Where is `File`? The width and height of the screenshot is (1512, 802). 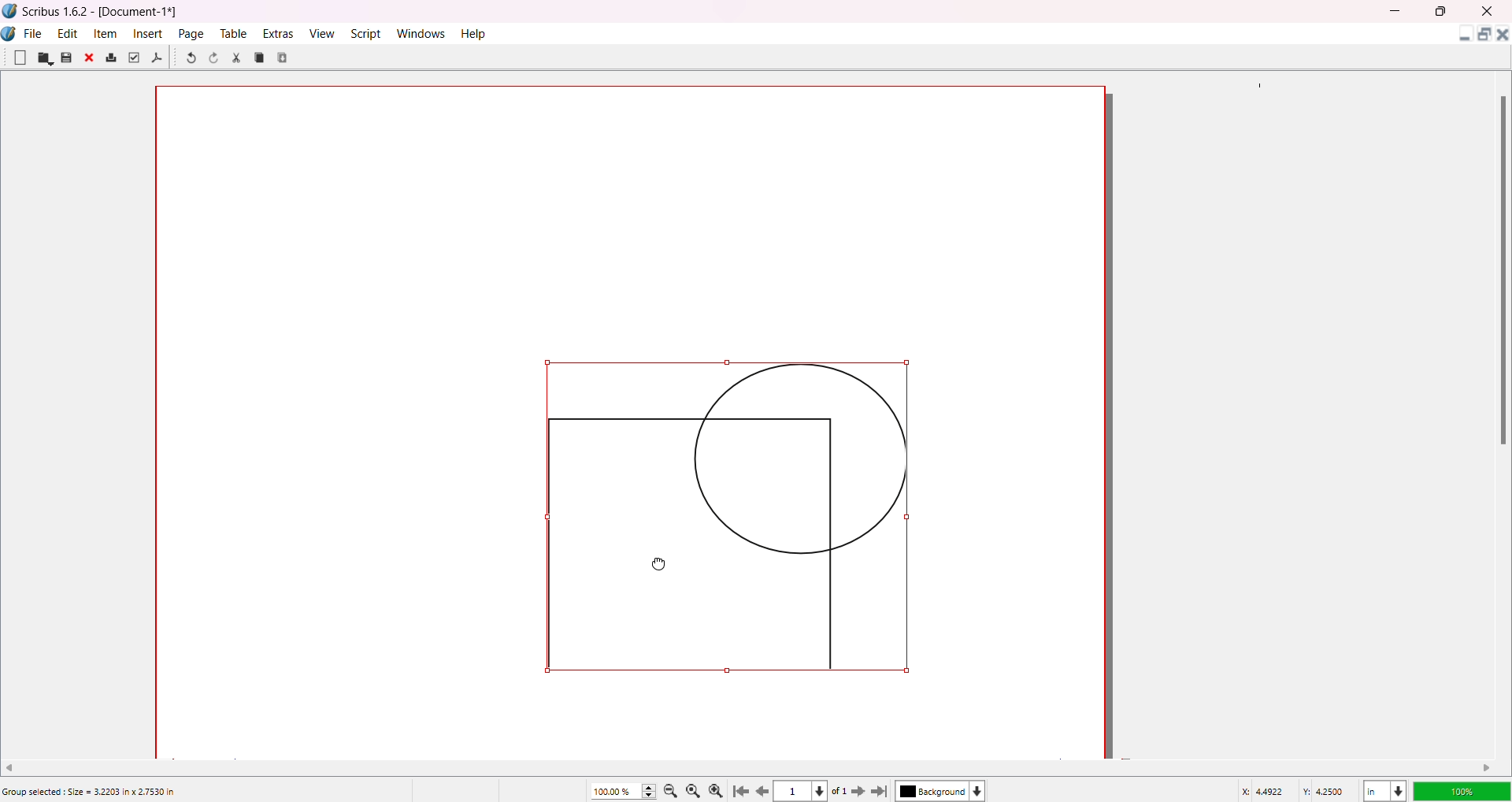
File is located at coordinates (34, 32).